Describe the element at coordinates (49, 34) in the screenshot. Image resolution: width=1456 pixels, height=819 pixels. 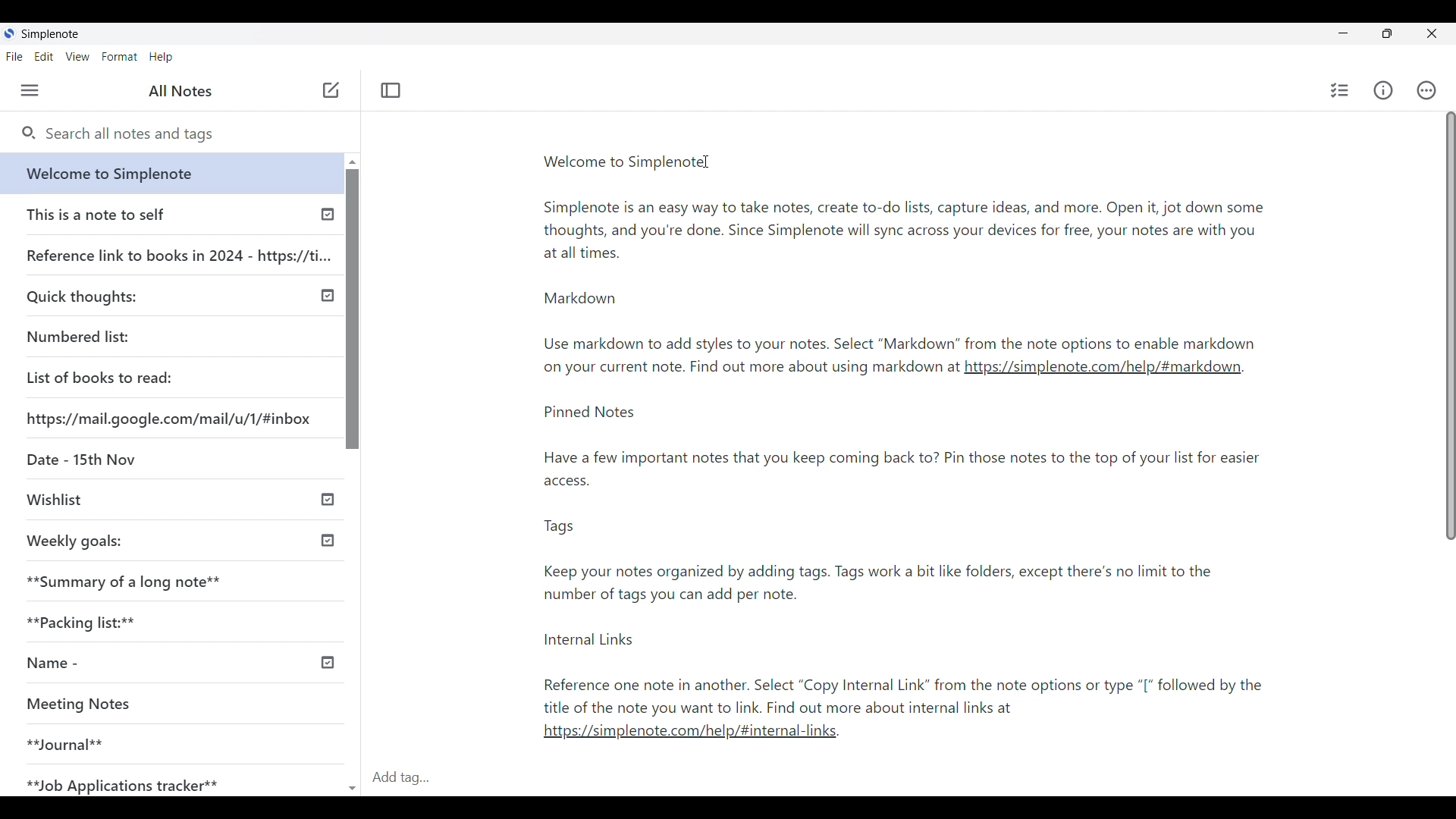
I see `Software name` at that location.